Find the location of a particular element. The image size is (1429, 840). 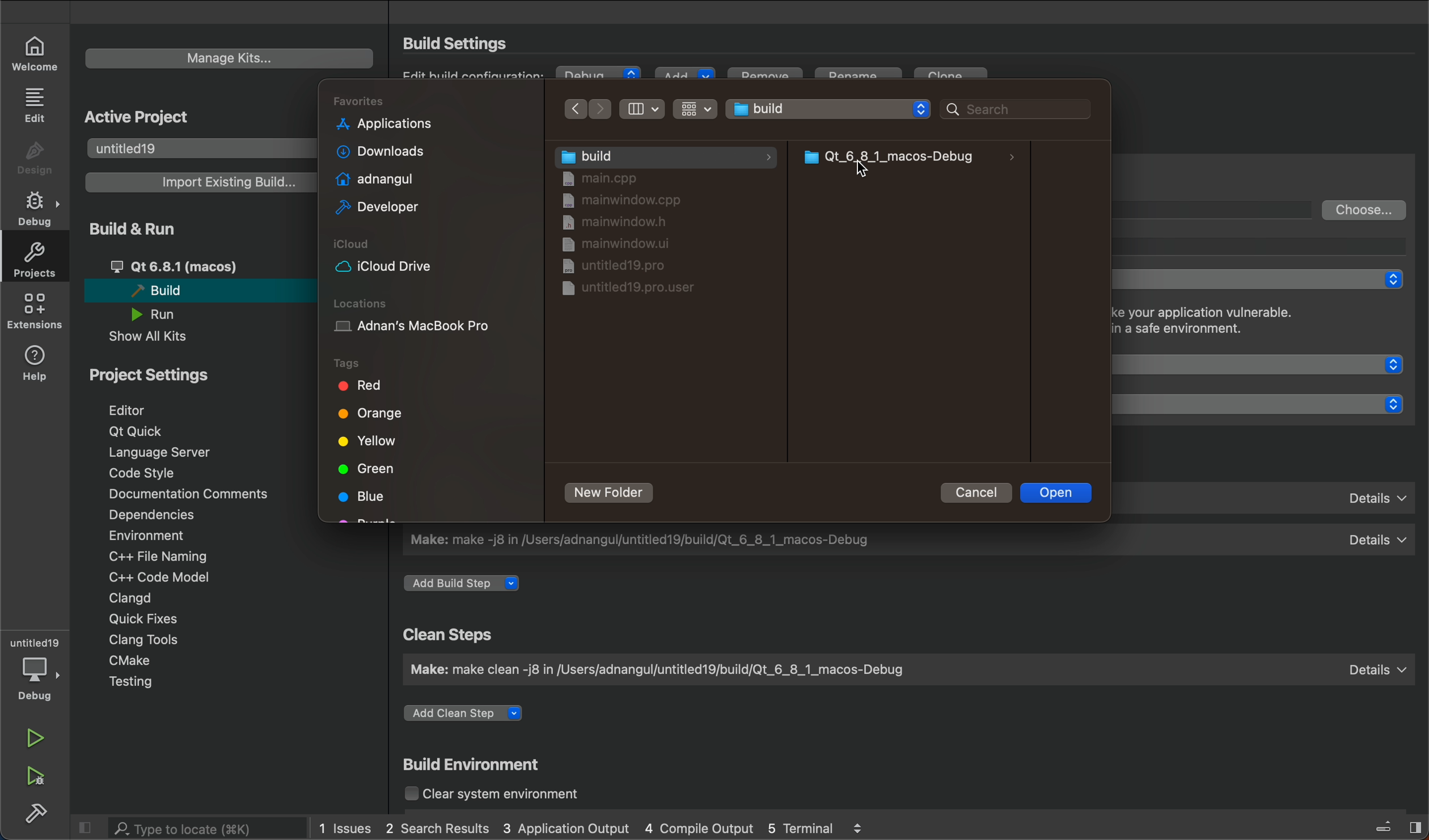

qt is located at coordinates (200, 266).